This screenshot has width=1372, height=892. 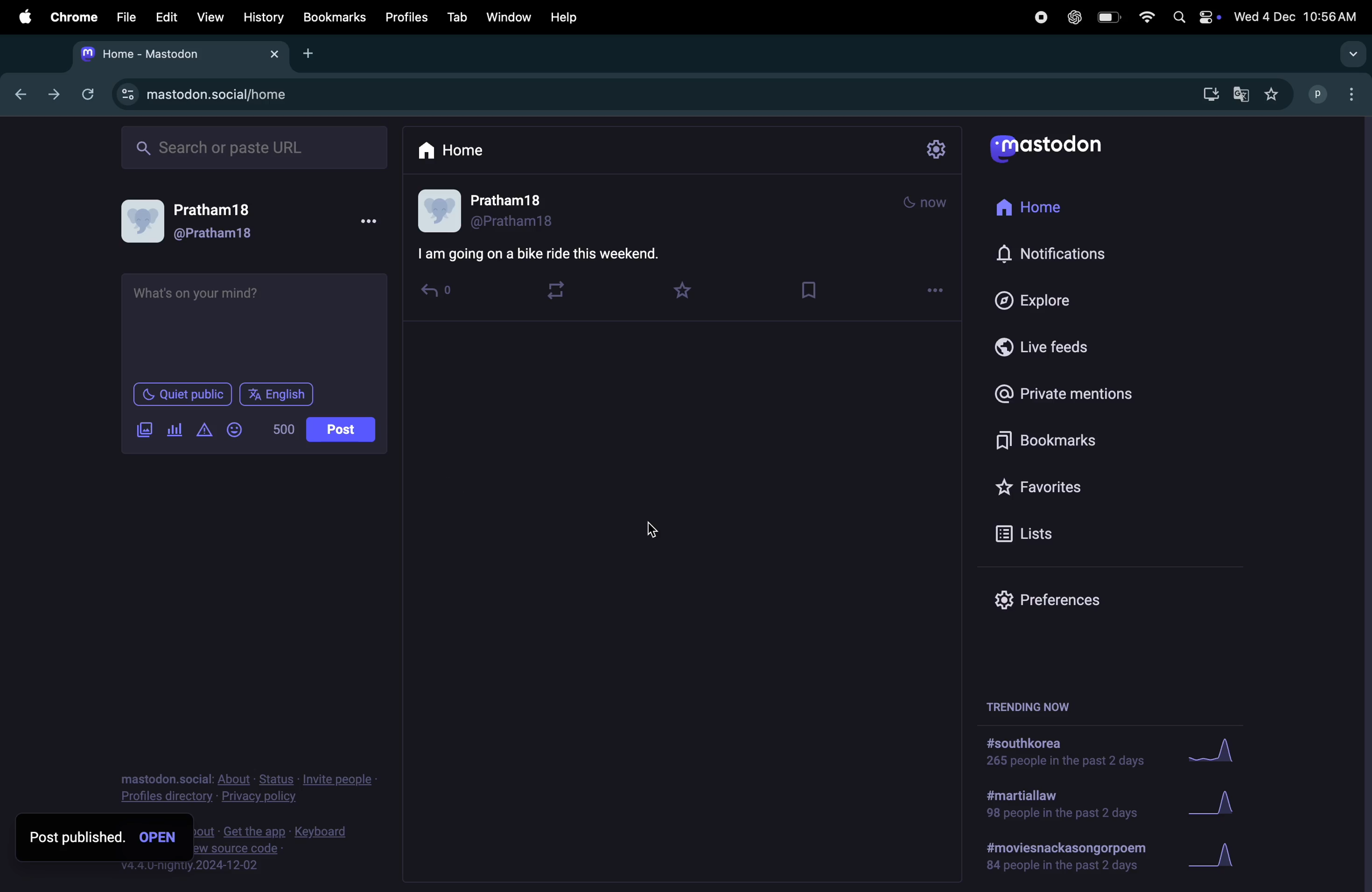 What do you see at coordinates (22, 93) in the screenshot?
I see `previous tab` at bounding box center [22, 93].